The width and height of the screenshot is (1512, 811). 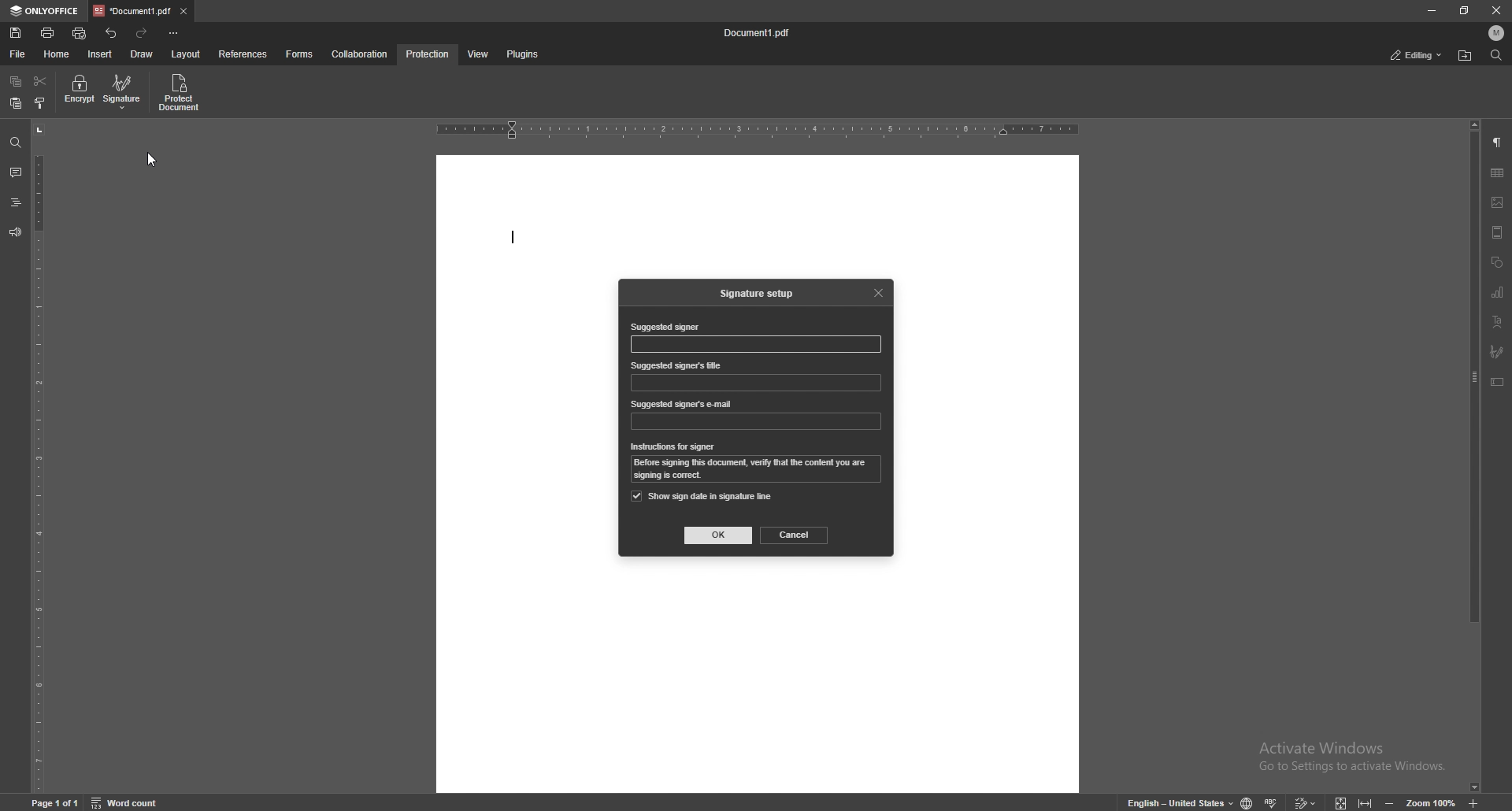 I want to click on resize, so click(x=1466, y=10).